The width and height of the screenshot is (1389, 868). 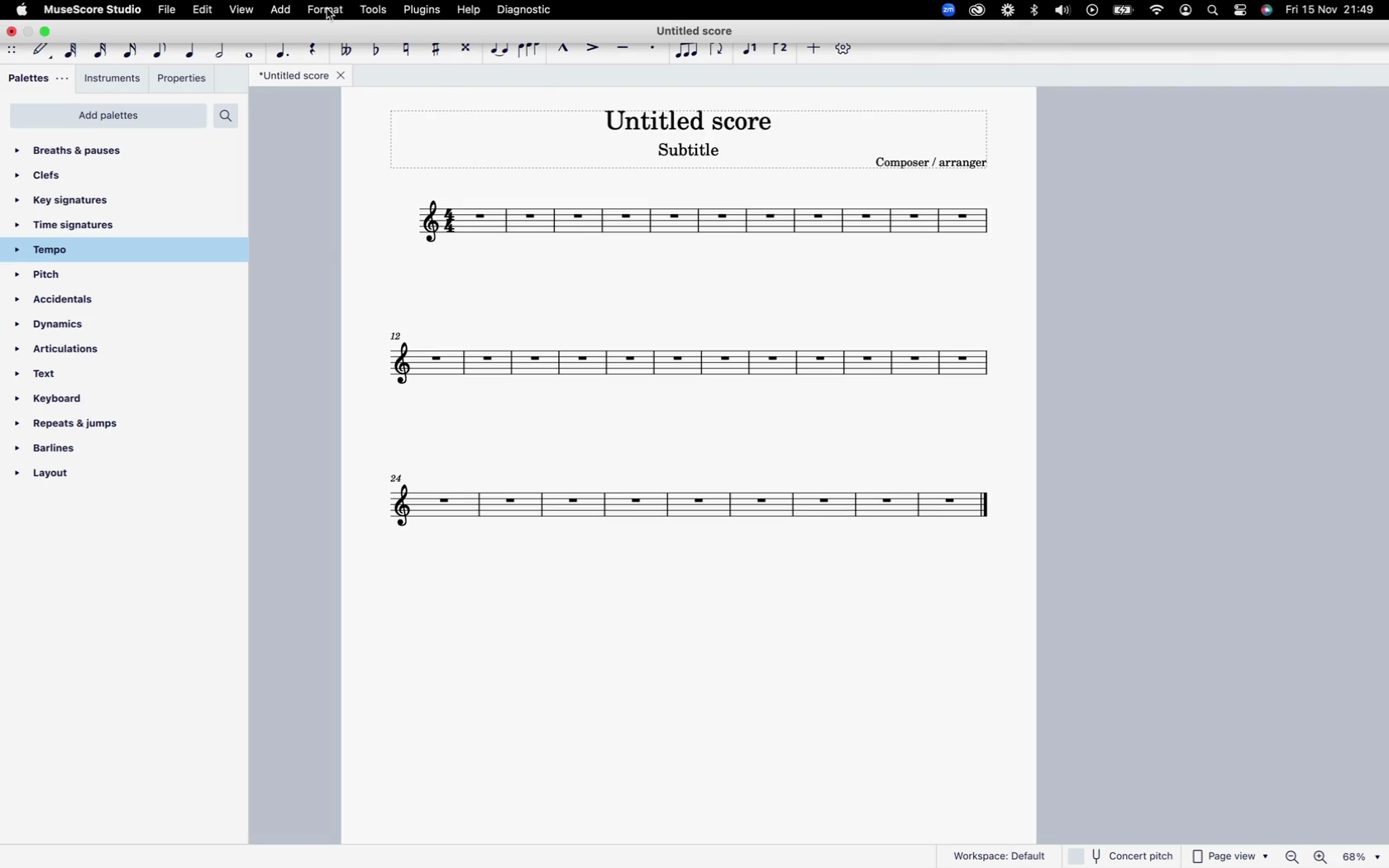 What do you see at coordinates (943, 9) in the screenshot?
I see `zoom` at bounding box center [943, 9].